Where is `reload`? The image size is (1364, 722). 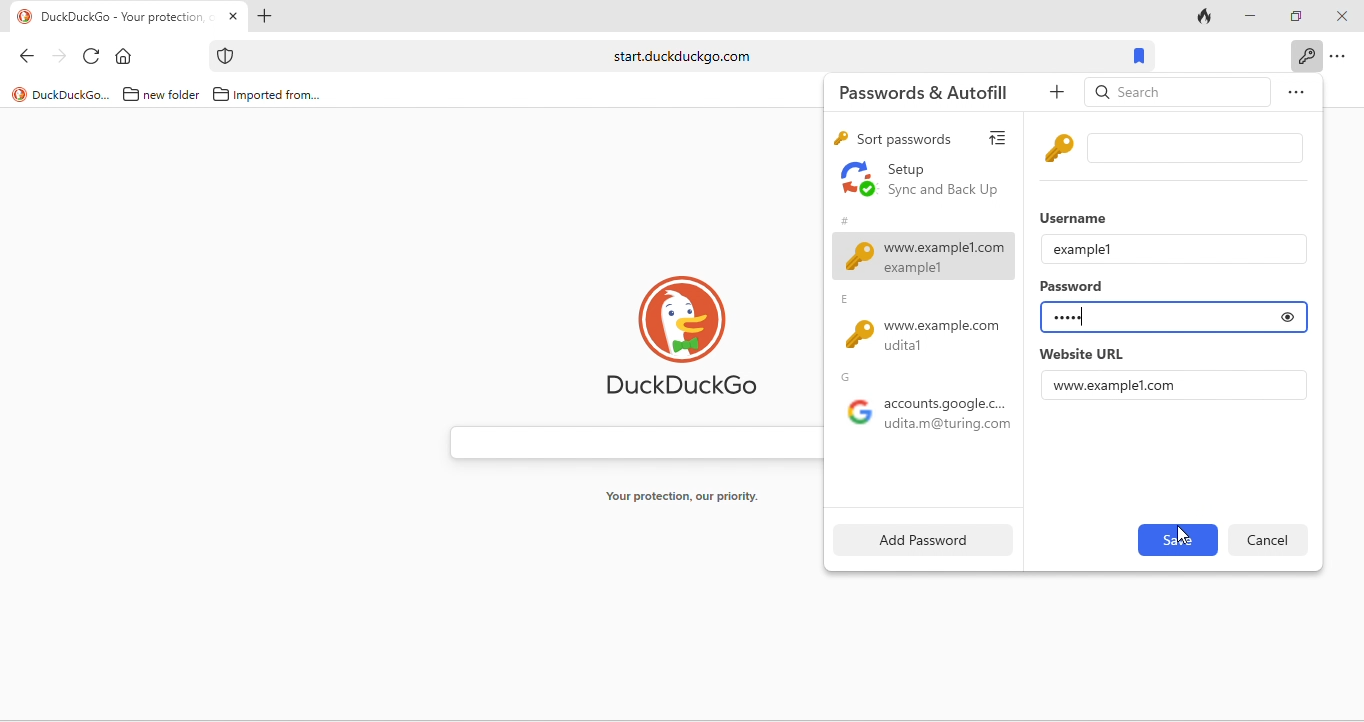 reload is located at coordinates (93, 54).